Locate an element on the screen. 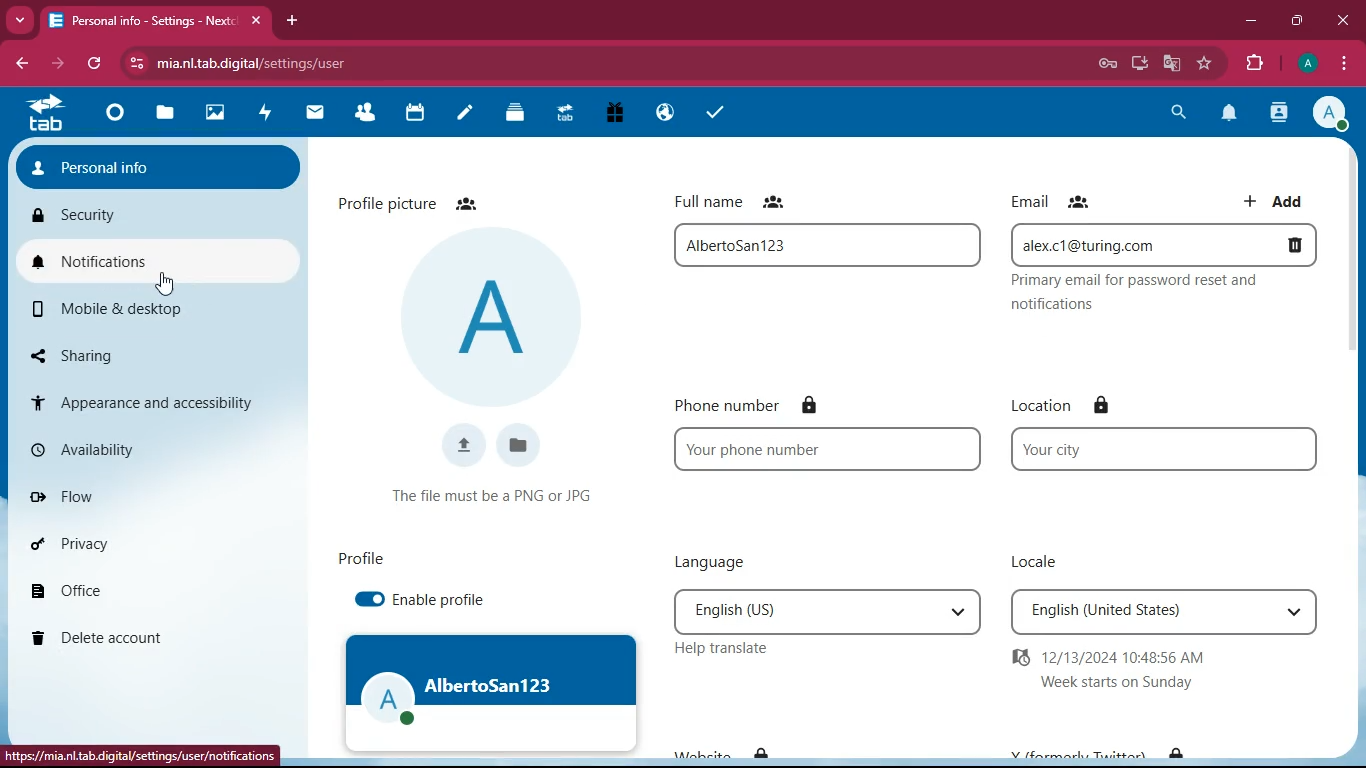 This screenshot has height=768, width=1366. cursor is located at coordinates (165, 283).